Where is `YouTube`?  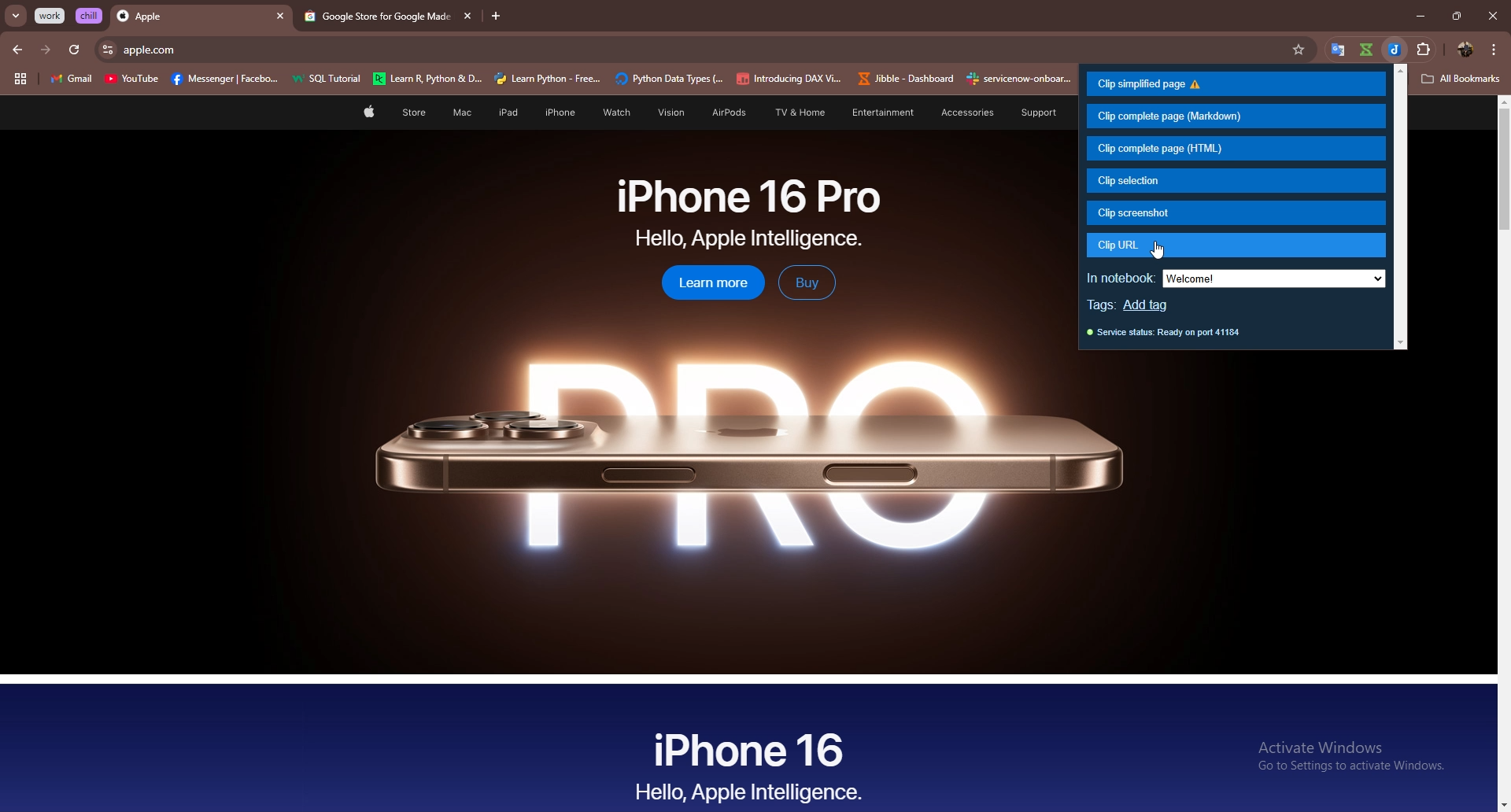
YouTube is located at coordinates (131, 81).